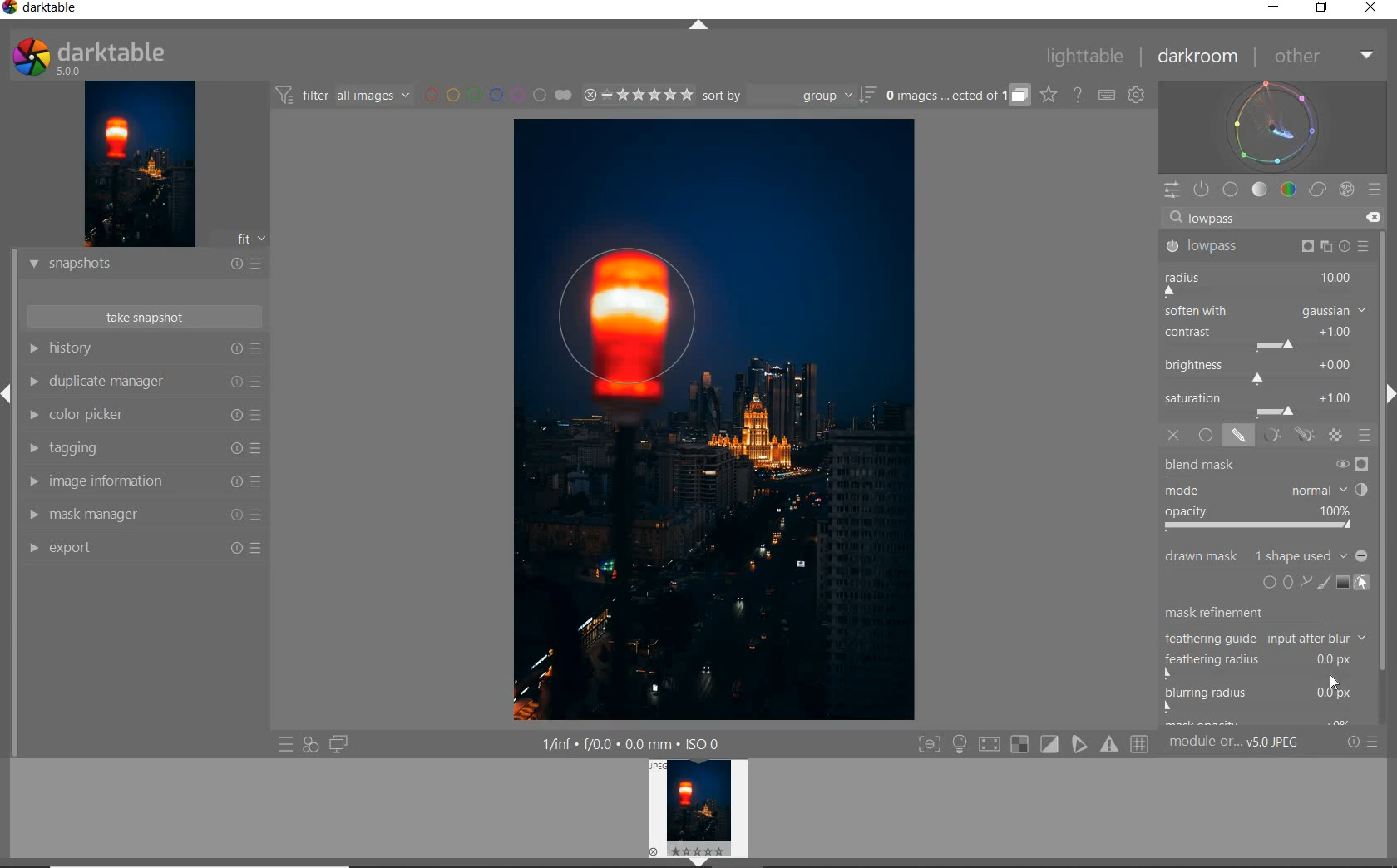 The height and width of the screenshot is (868, 1397). I want to click on TOGGLE MODES, so click(1034, 744).